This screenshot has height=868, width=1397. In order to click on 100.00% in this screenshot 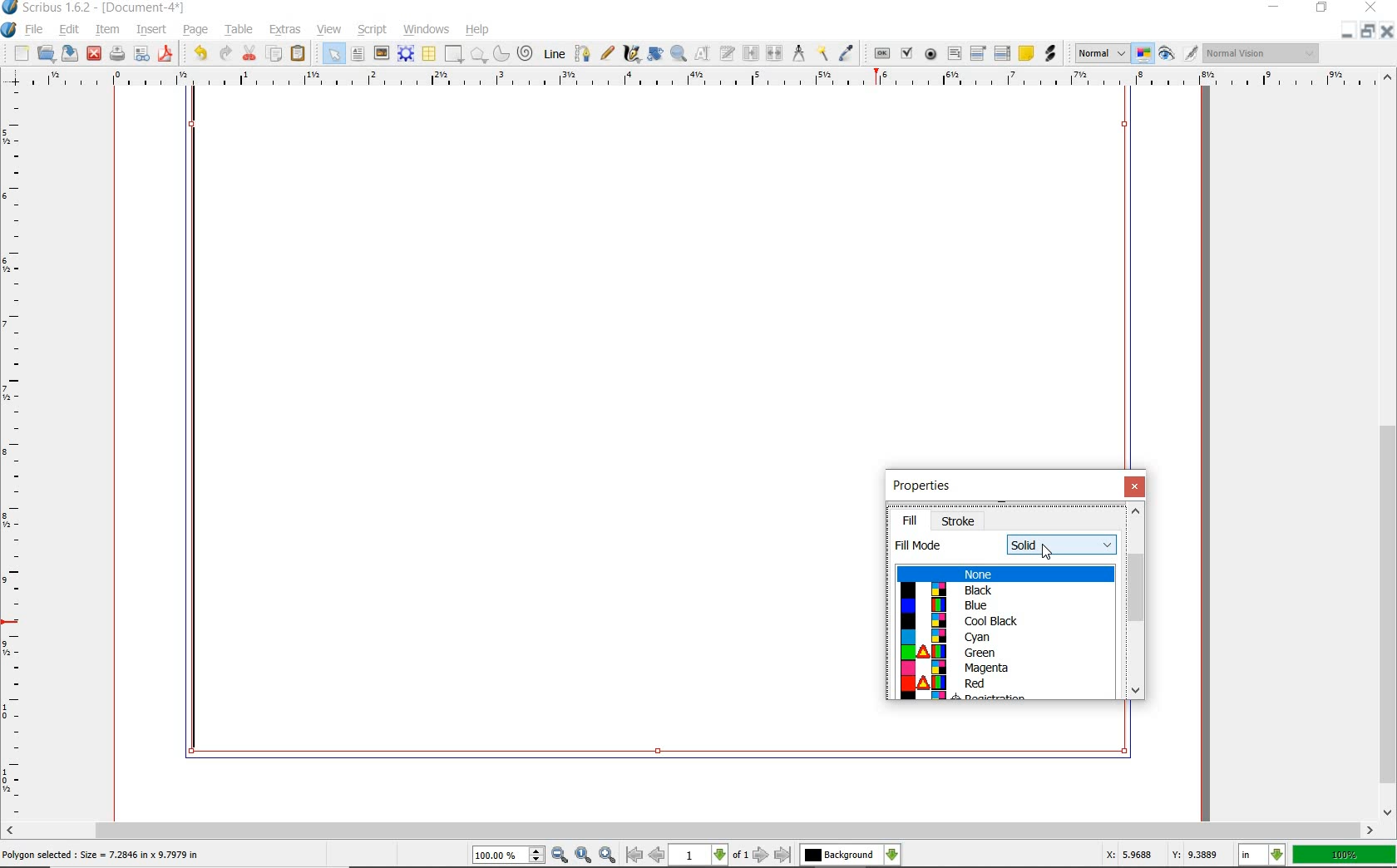, I will do `click(510, 856)`.